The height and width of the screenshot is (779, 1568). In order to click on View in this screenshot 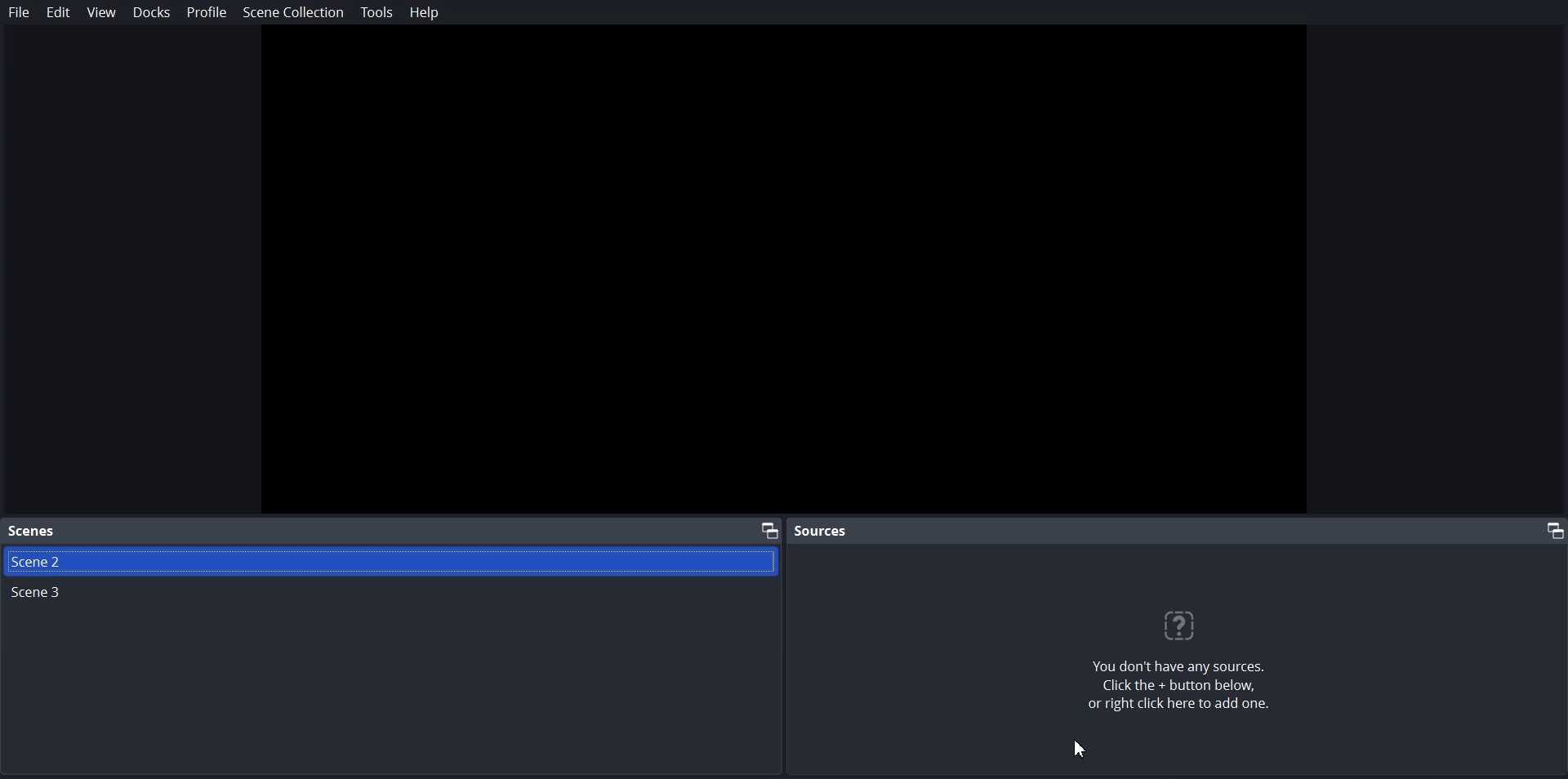, I will do `click(100, 11)`.